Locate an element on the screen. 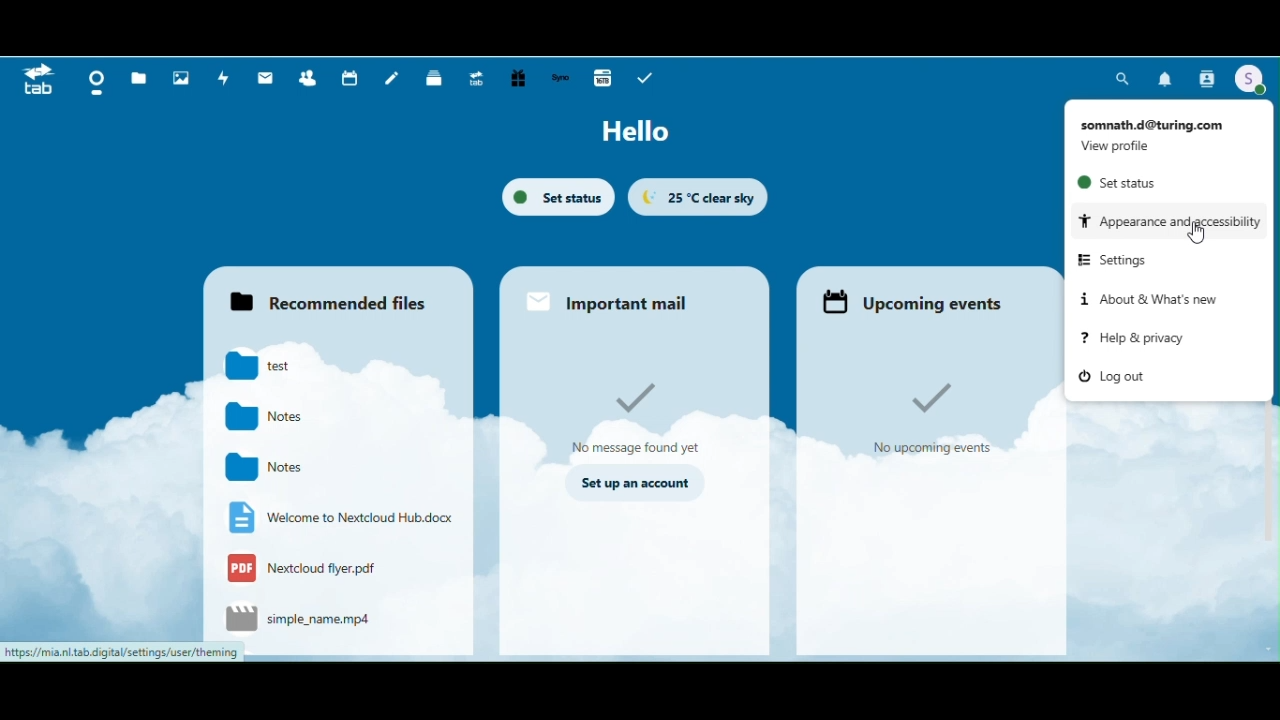 The width and height of the screenshot is (1280, 720). Help and privacy is located at coordinates (1131, 339).